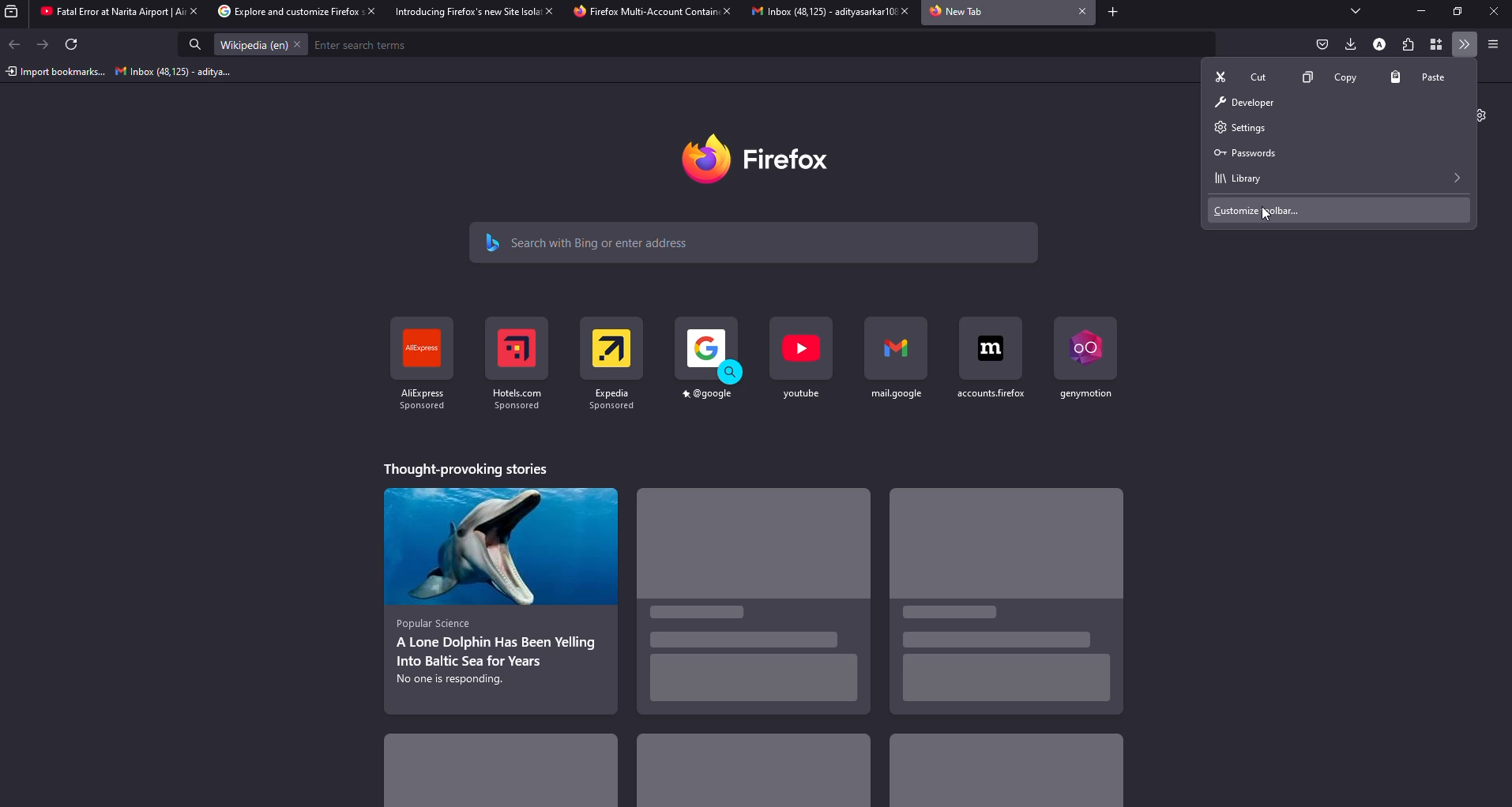 This screenshot has width=1512, height=807. I want to click on tab, so click(104, 13).